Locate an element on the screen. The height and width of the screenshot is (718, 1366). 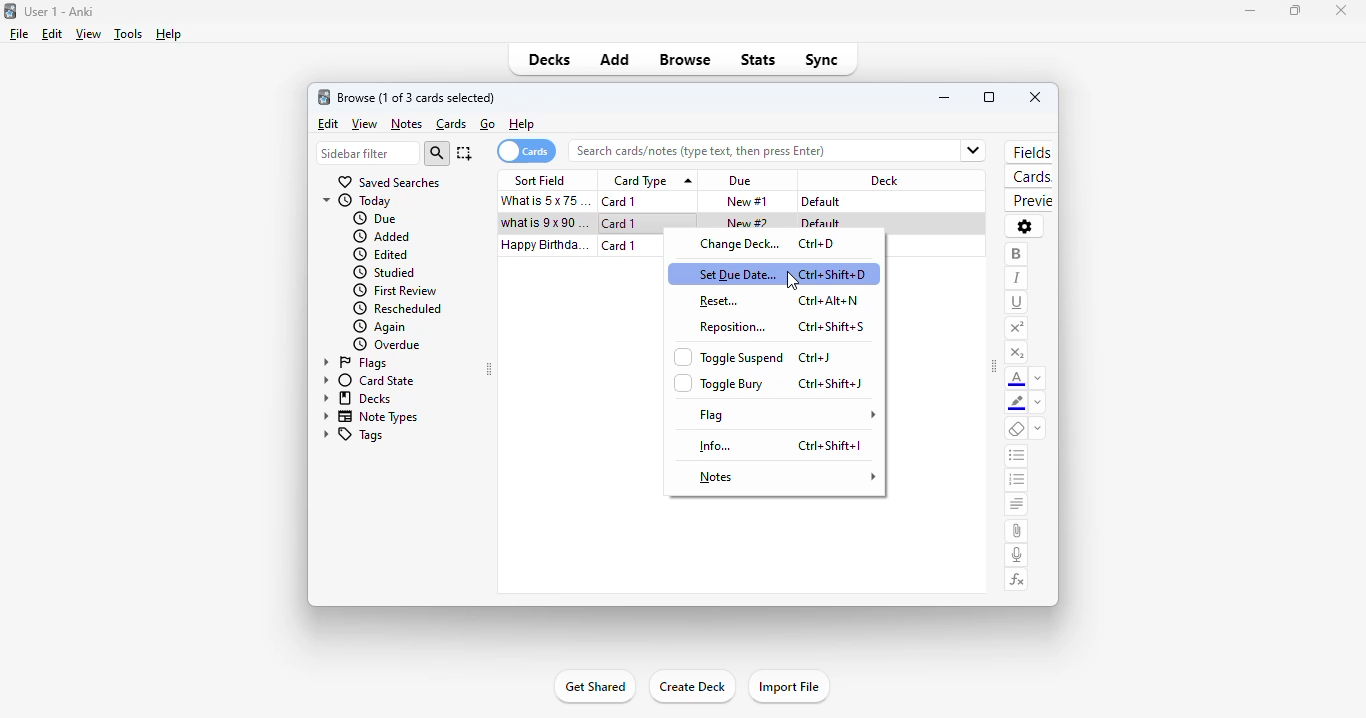
today is located at coordinates (358, 201).